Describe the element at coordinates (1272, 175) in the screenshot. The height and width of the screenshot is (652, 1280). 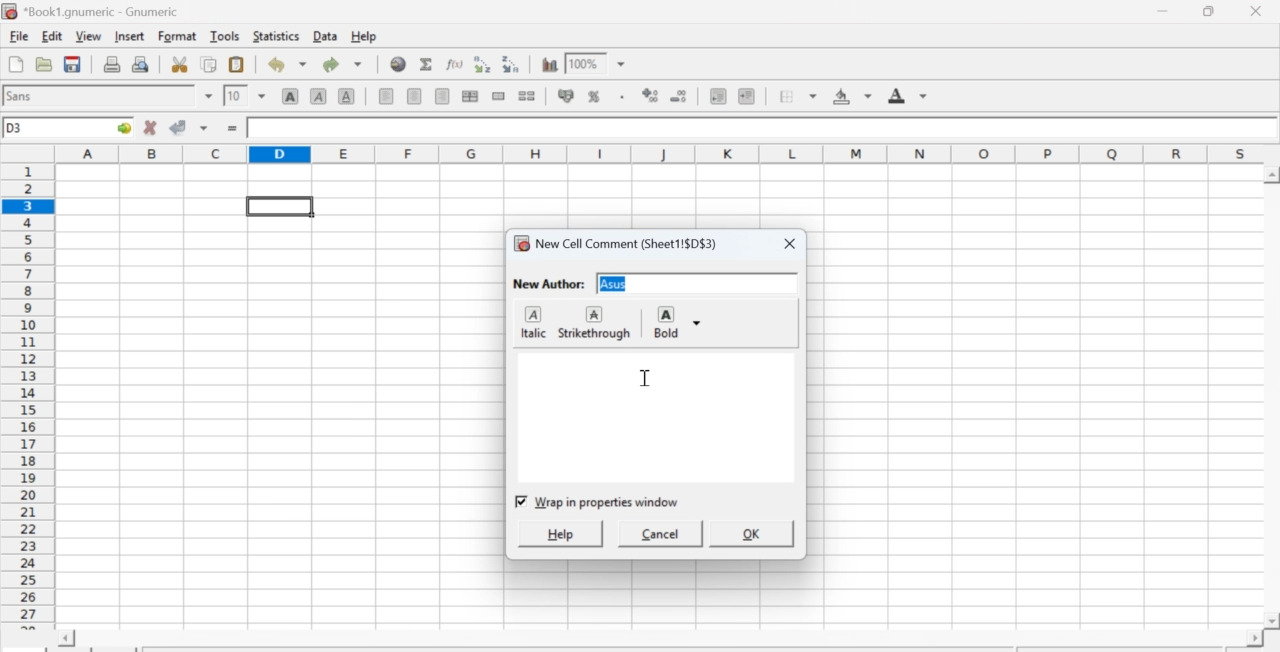
I see `scroll up` at that location.